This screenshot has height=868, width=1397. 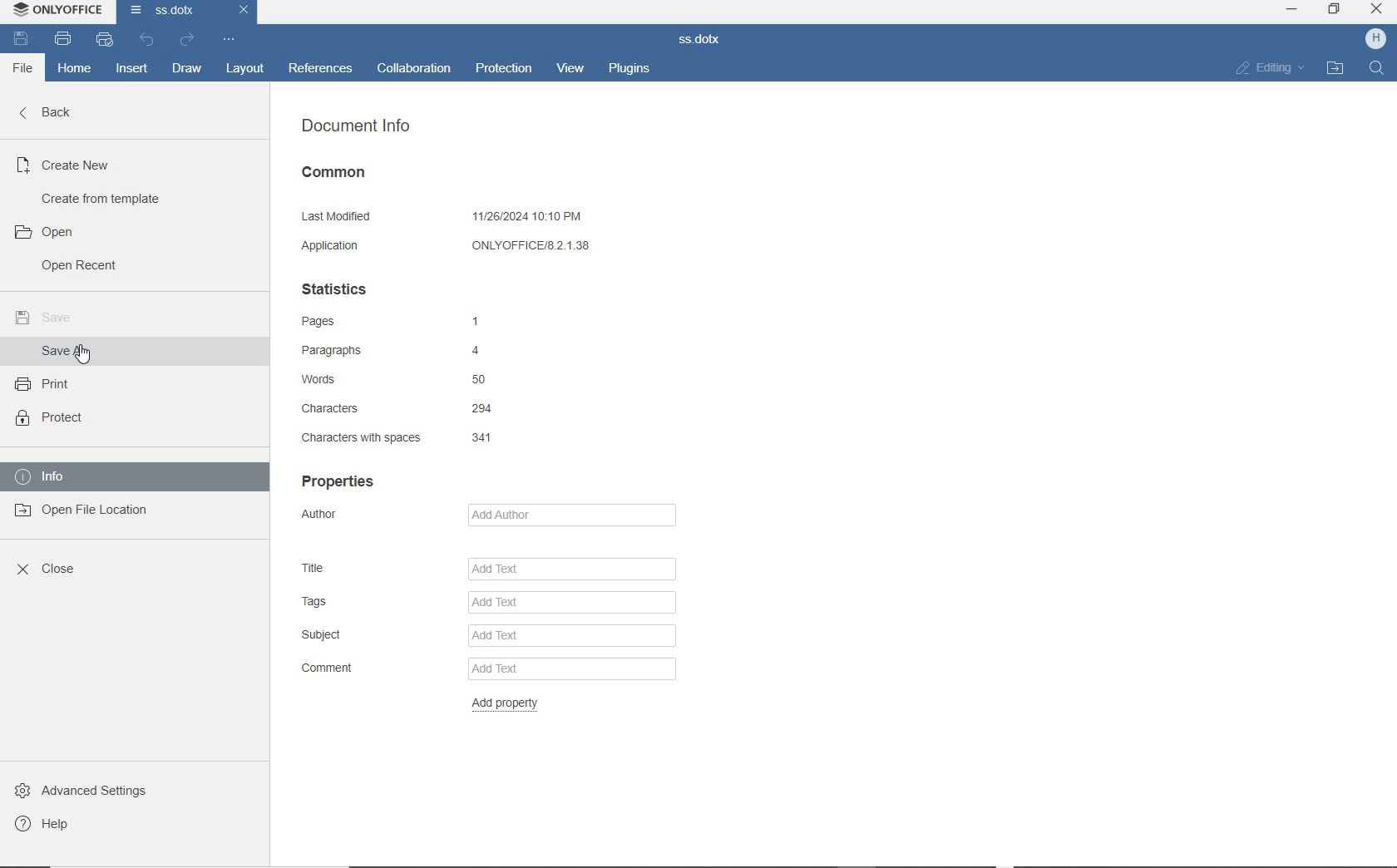 What do you see at coordinates (397, 436) in the screenshot?
I see `CHARACTERS WITH SPACES` at bounding box center [397, 436].